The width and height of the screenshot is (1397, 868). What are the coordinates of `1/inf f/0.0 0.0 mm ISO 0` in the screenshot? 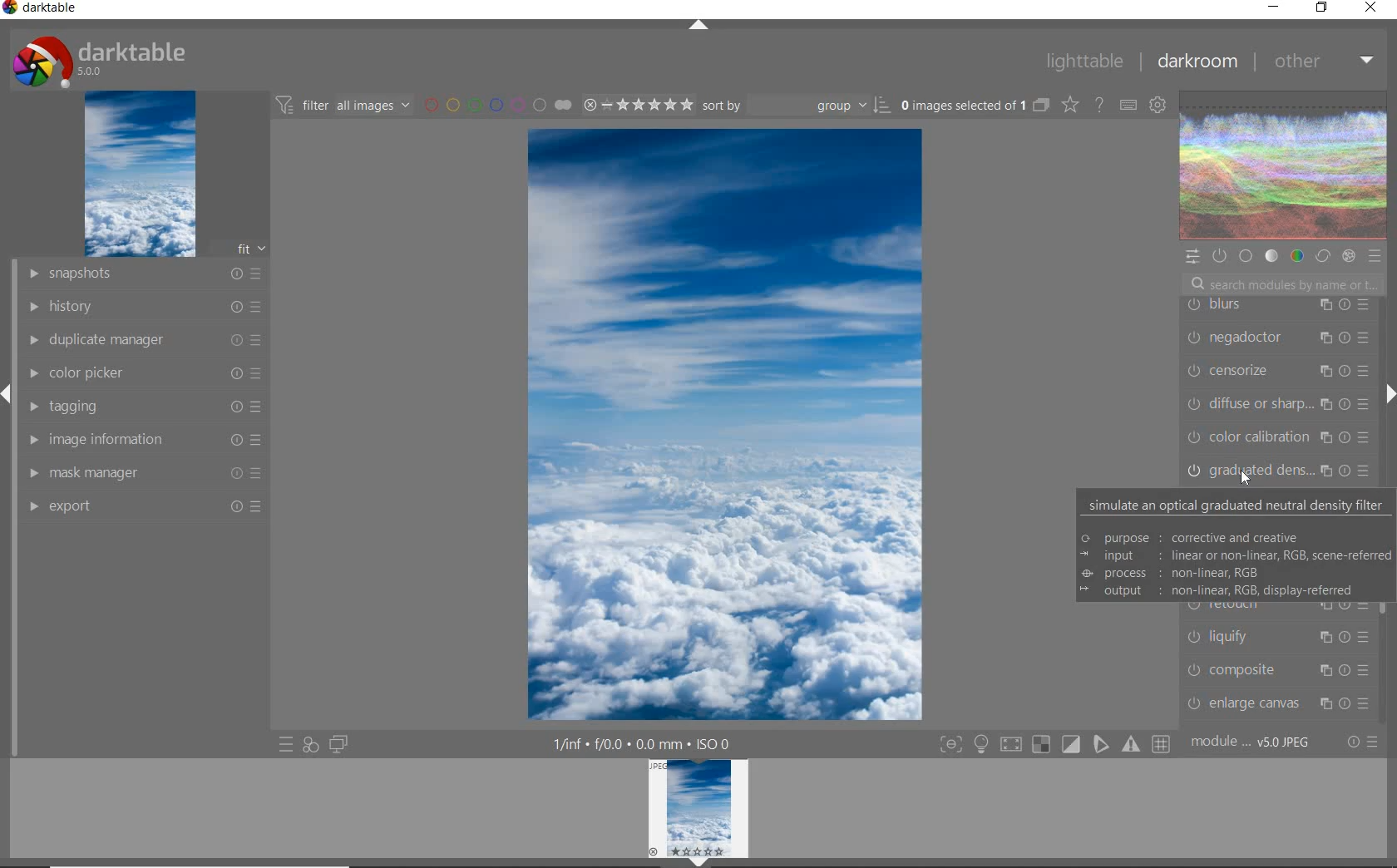 It's located at (645, 742).